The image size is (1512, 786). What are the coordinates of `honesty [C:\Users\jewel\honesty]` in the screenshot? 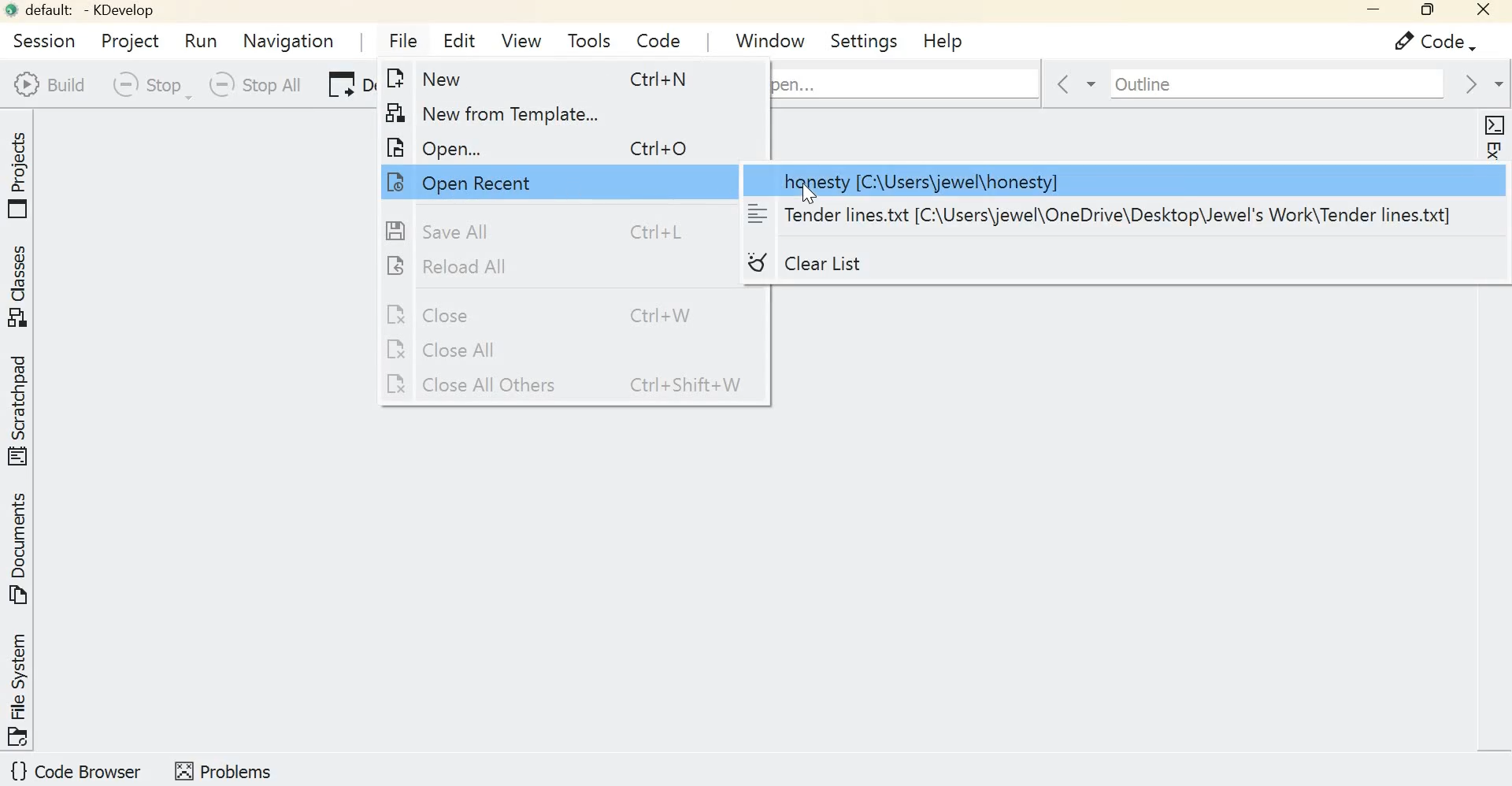 It's located at (1115, 182).